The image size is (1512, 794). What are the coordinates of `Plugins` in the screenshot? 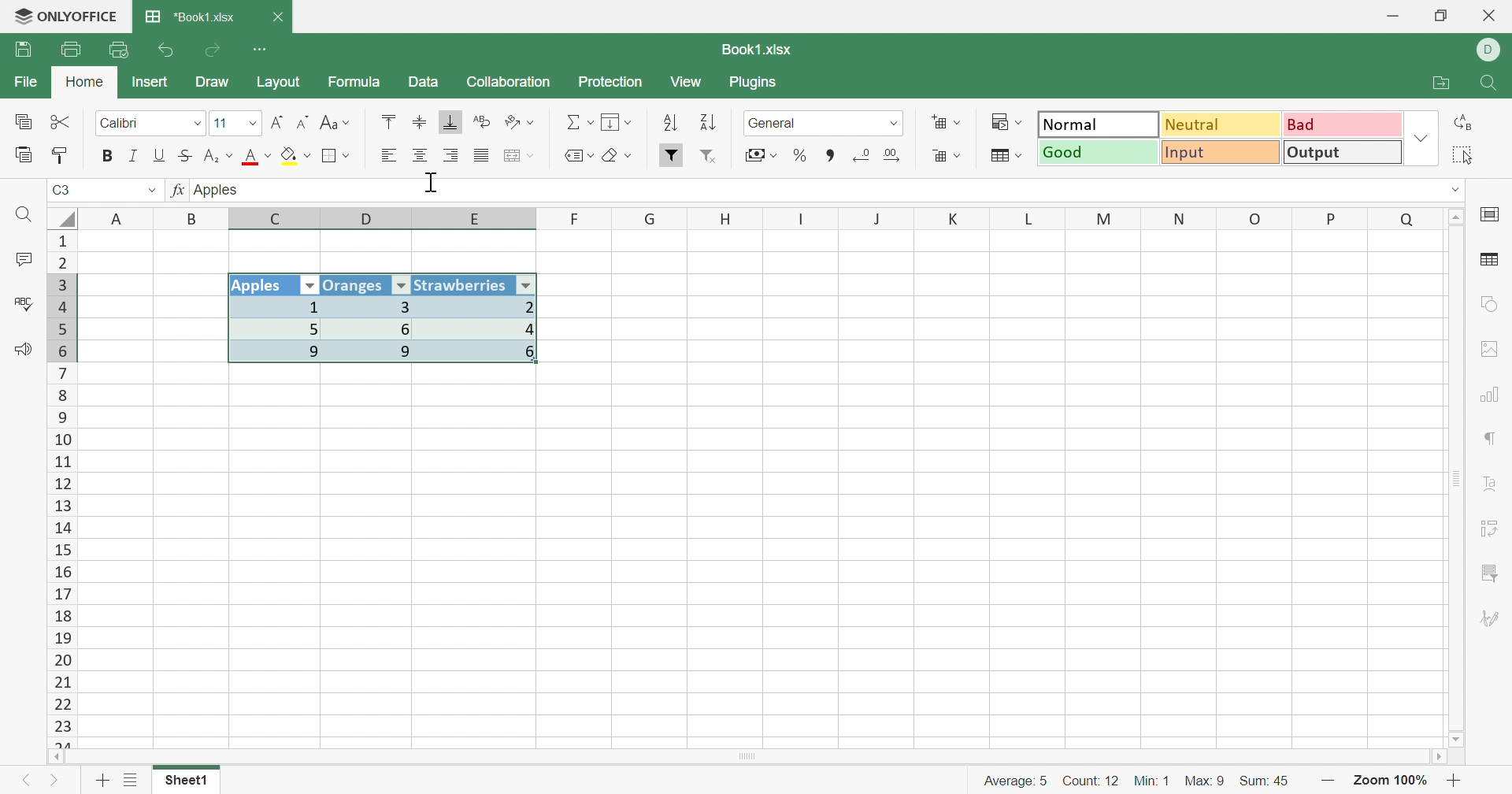 It's located at (757, 84).